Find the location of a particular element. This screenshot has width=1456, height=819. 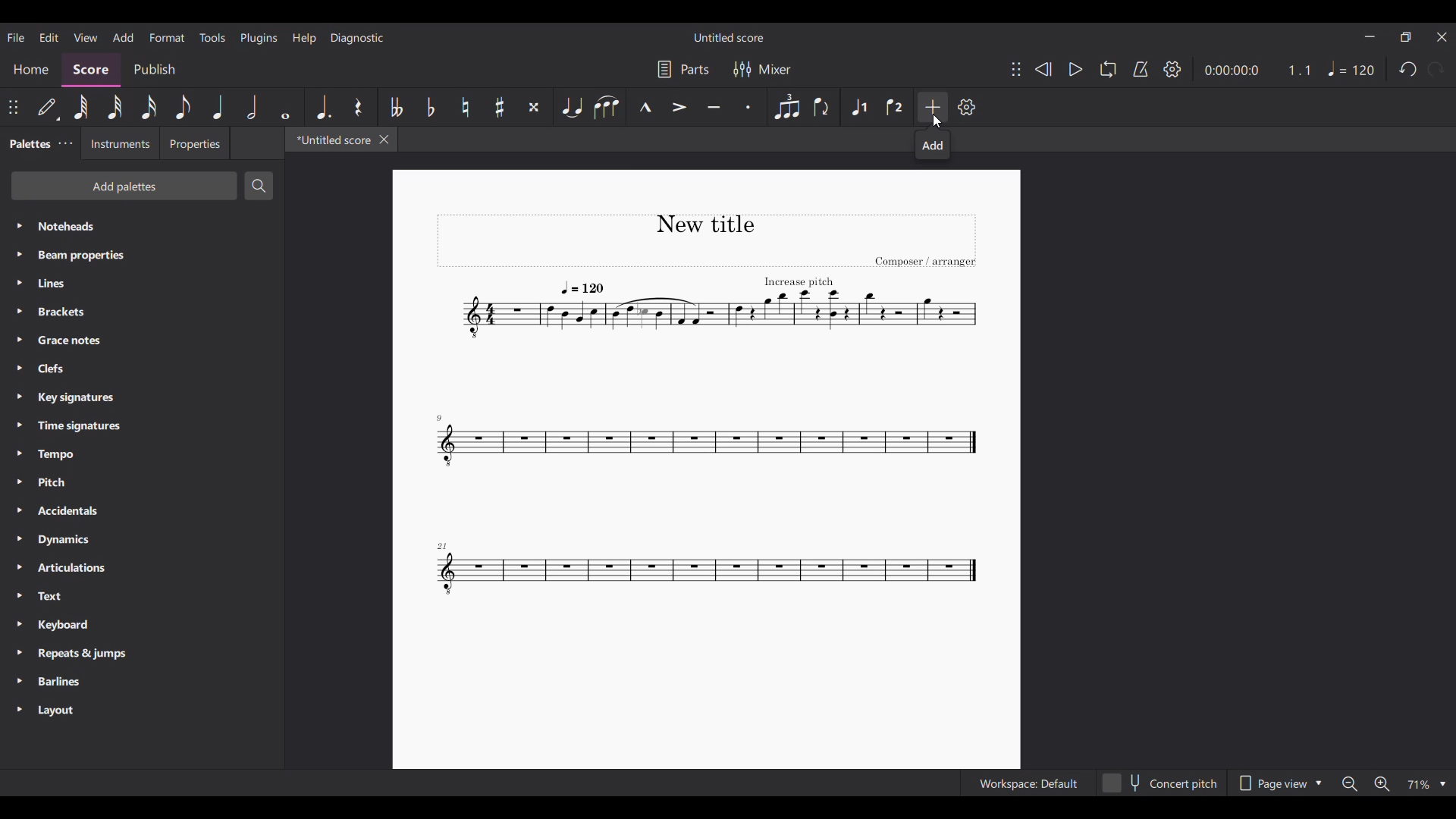

Noteheads is located at coordinates (143, 227).